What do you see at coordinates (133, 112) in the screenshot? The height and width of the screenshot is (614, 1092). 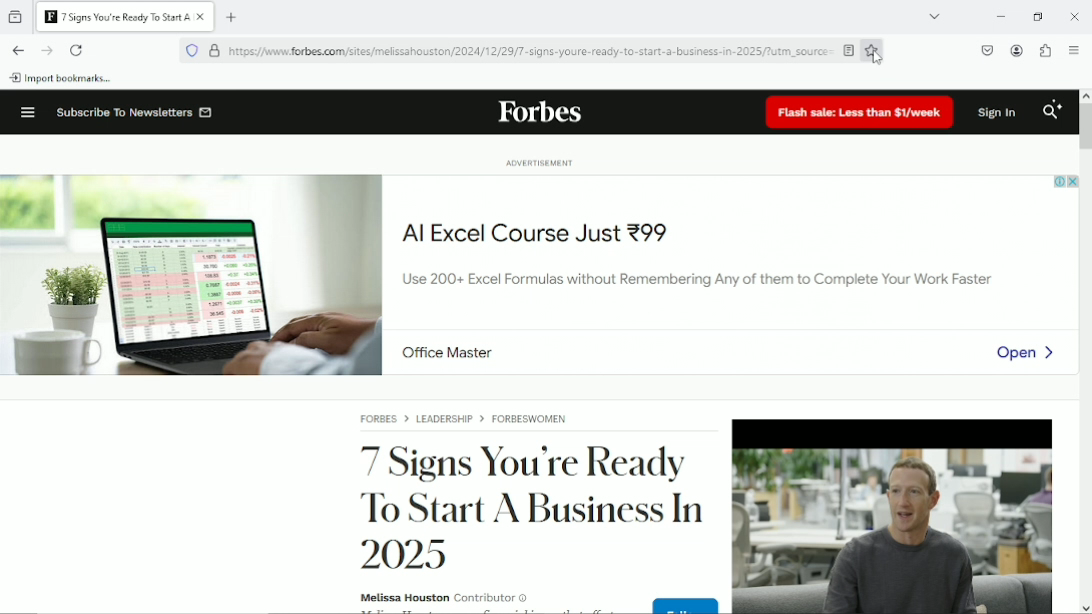 I see `subscribe to newsletters` at bounding box center [133, 112].